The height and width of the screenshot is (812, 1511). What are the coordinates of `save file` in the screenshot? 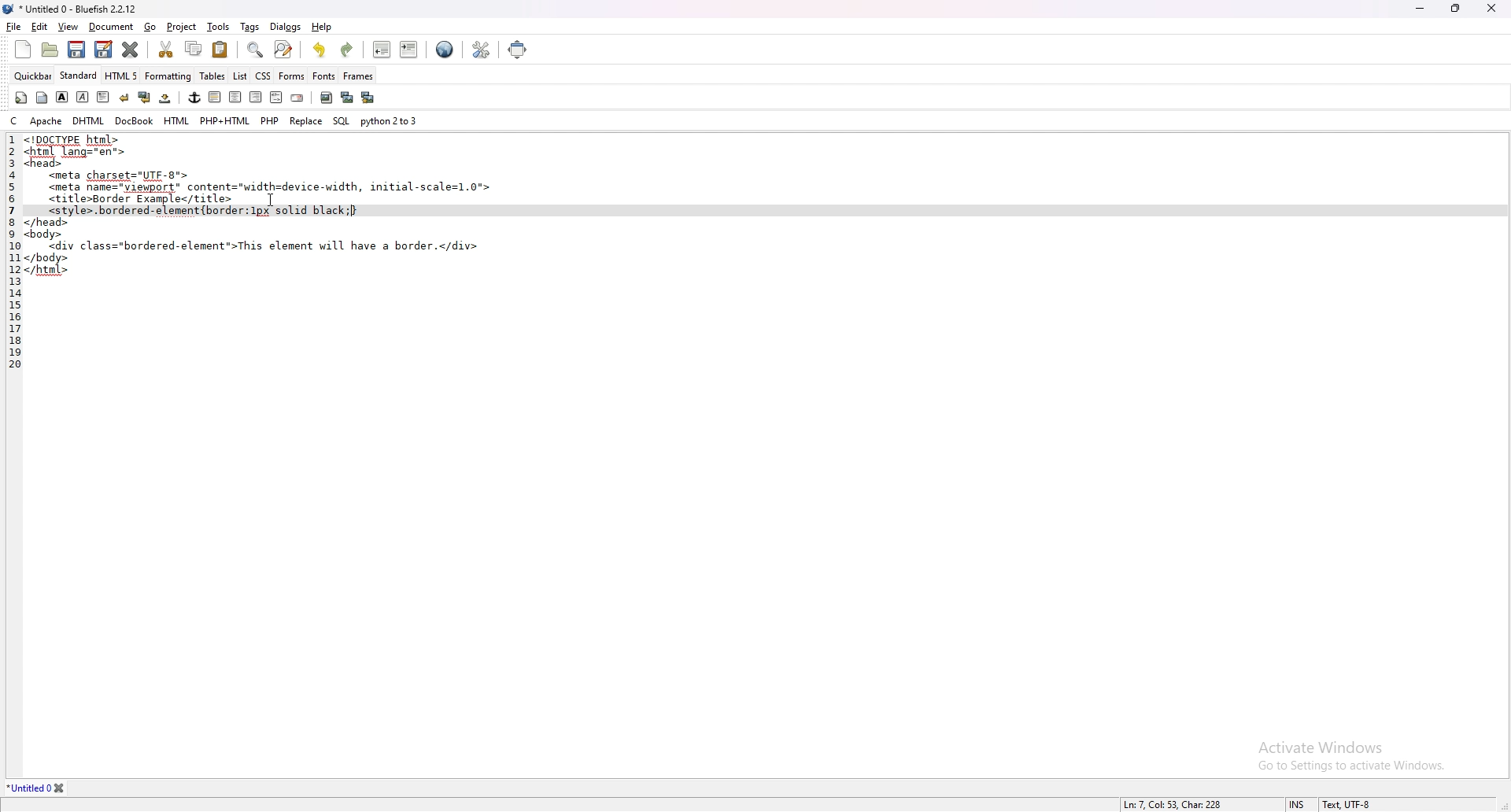 It's located at (75, 50).